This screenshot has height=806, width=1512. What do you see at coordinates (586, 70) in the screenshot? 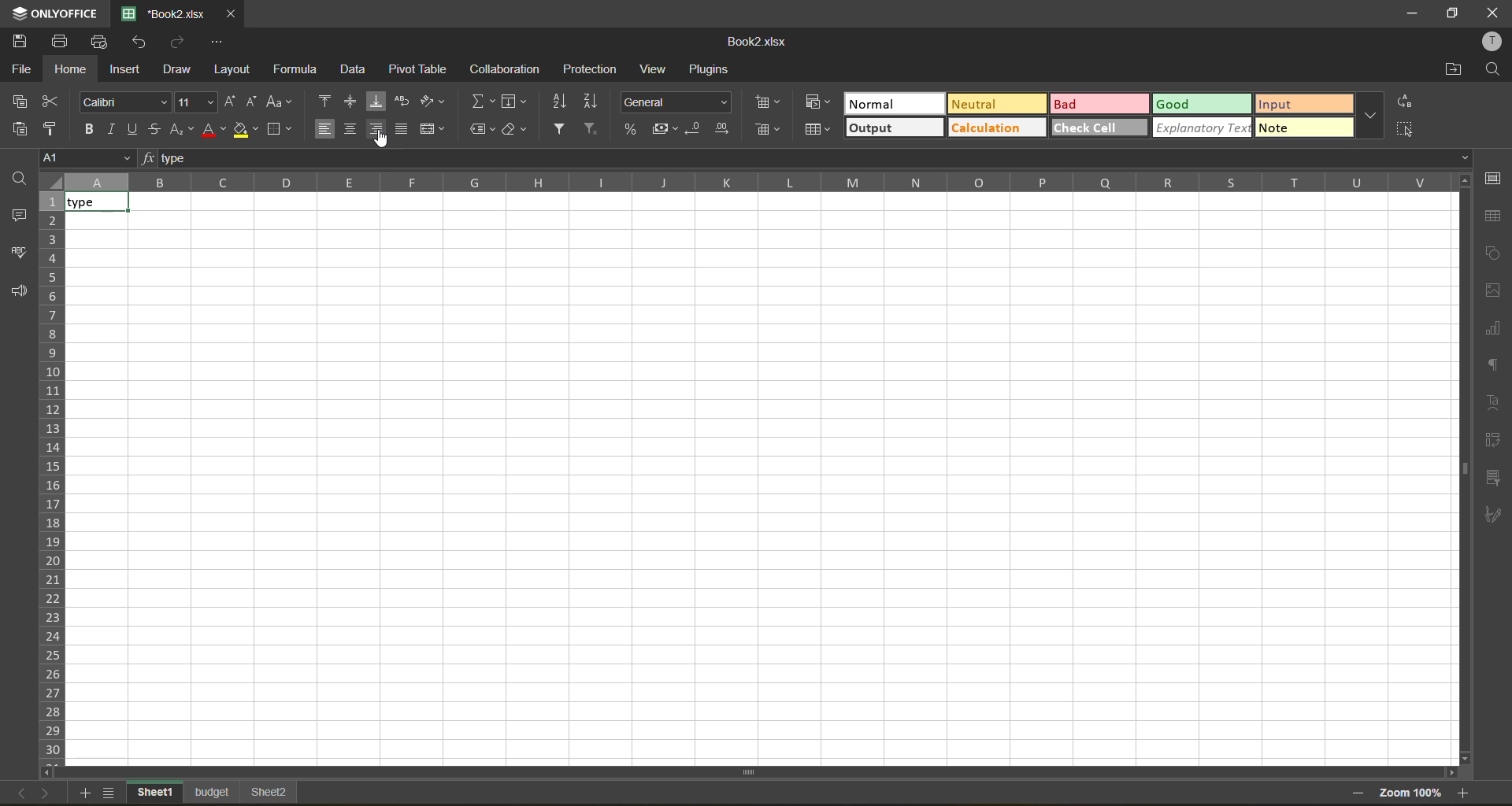
I see `protection` at bounding box center [586, 70].